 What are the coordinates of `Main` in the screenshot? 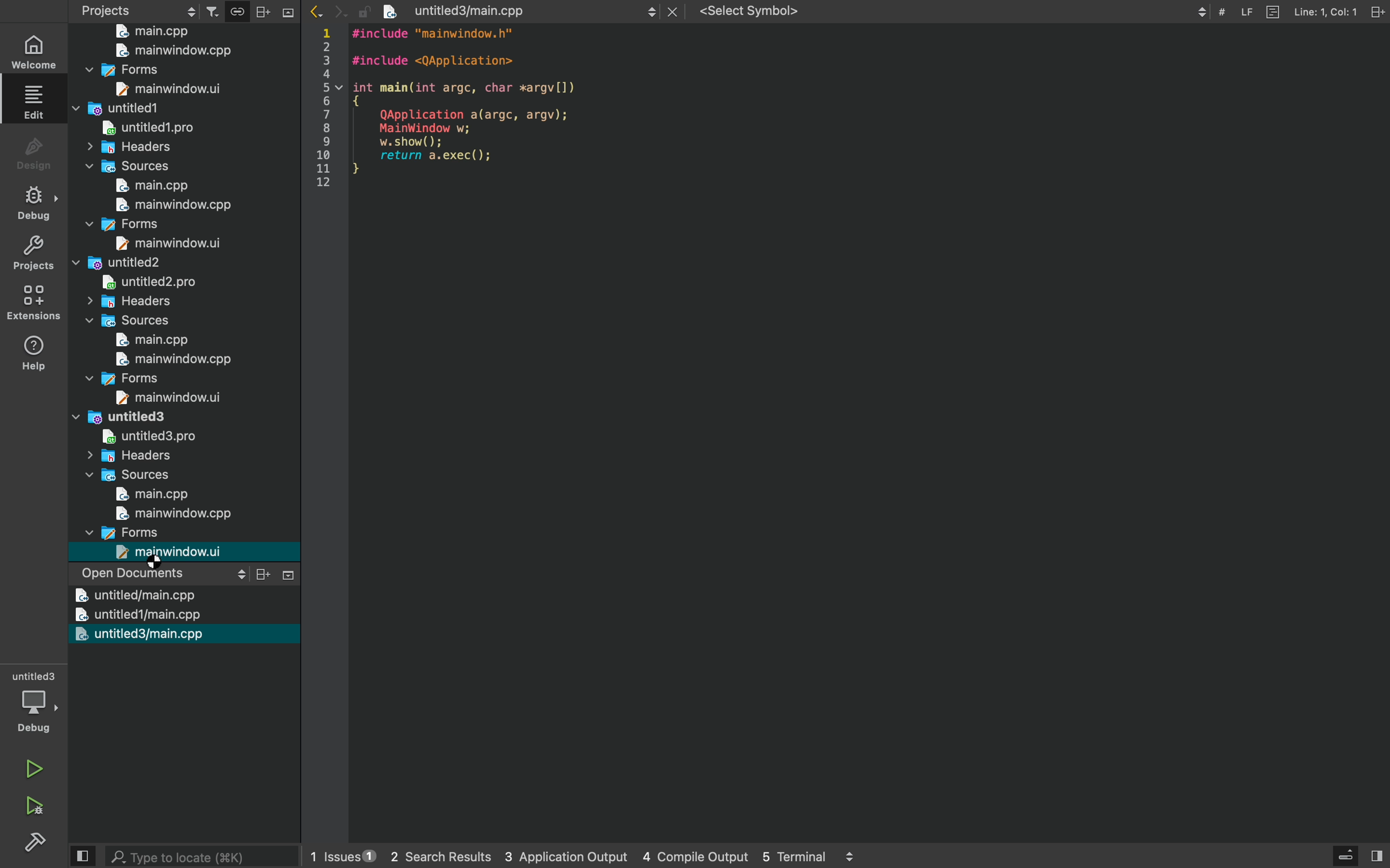 It's located at (177, 51).